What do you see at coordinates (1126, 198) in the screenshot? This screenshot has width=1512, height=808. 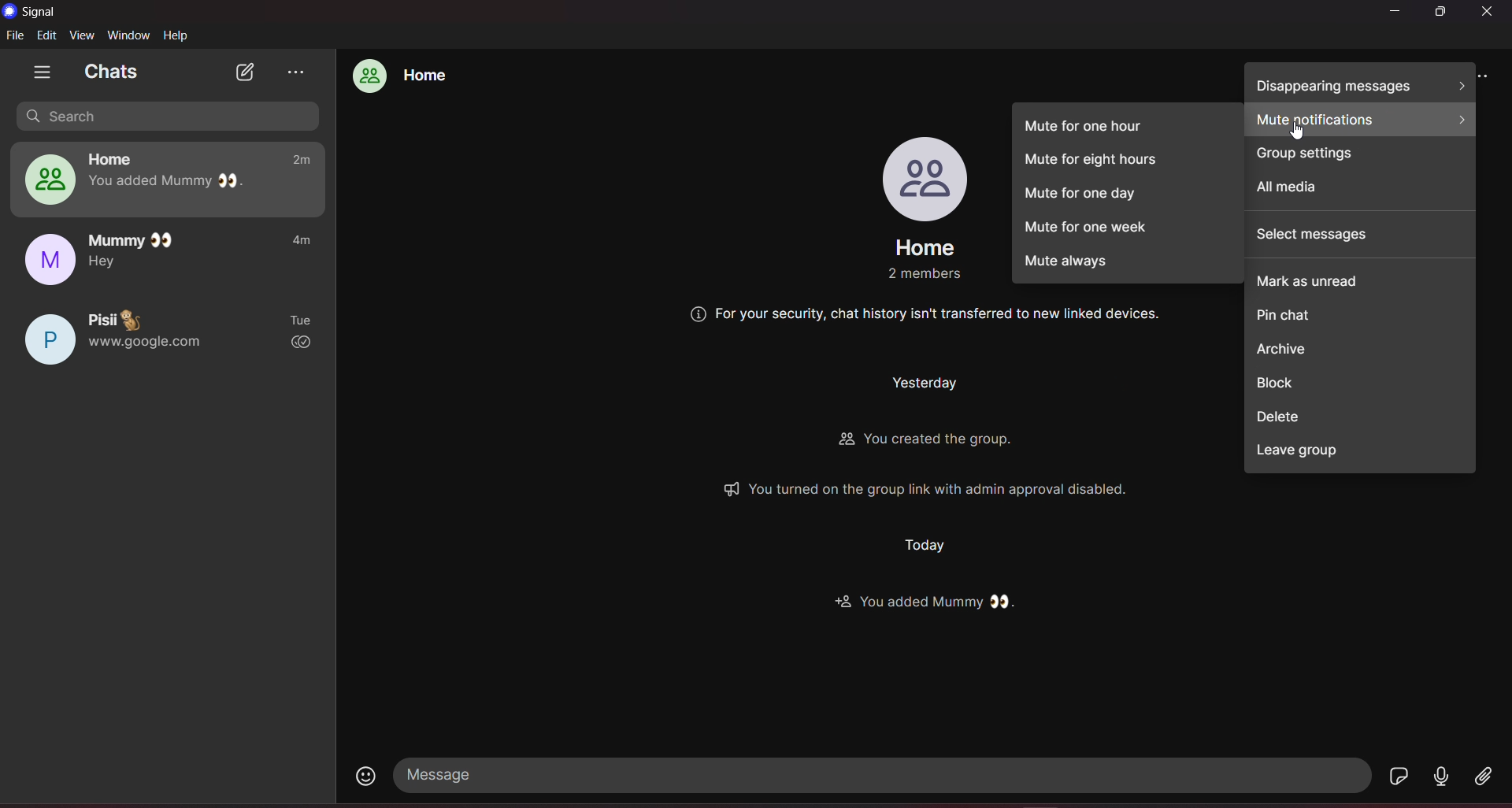 I see `mute for one day` at bounding box center [1126, 198].